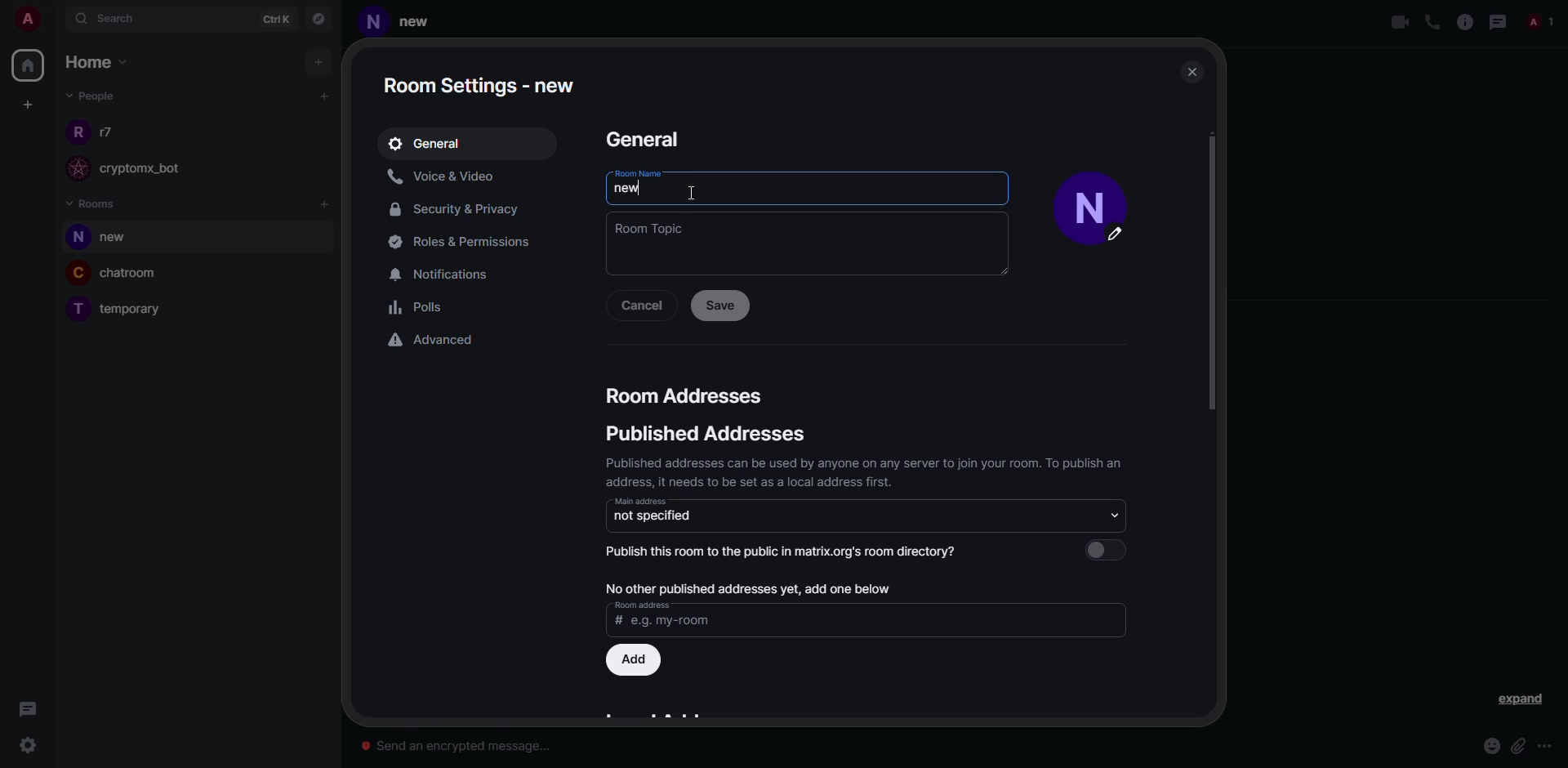 This screenshot has height=768, width=1568. Describe the element at coordinates (866, 471) in the screenshot. I see `info` at that location.